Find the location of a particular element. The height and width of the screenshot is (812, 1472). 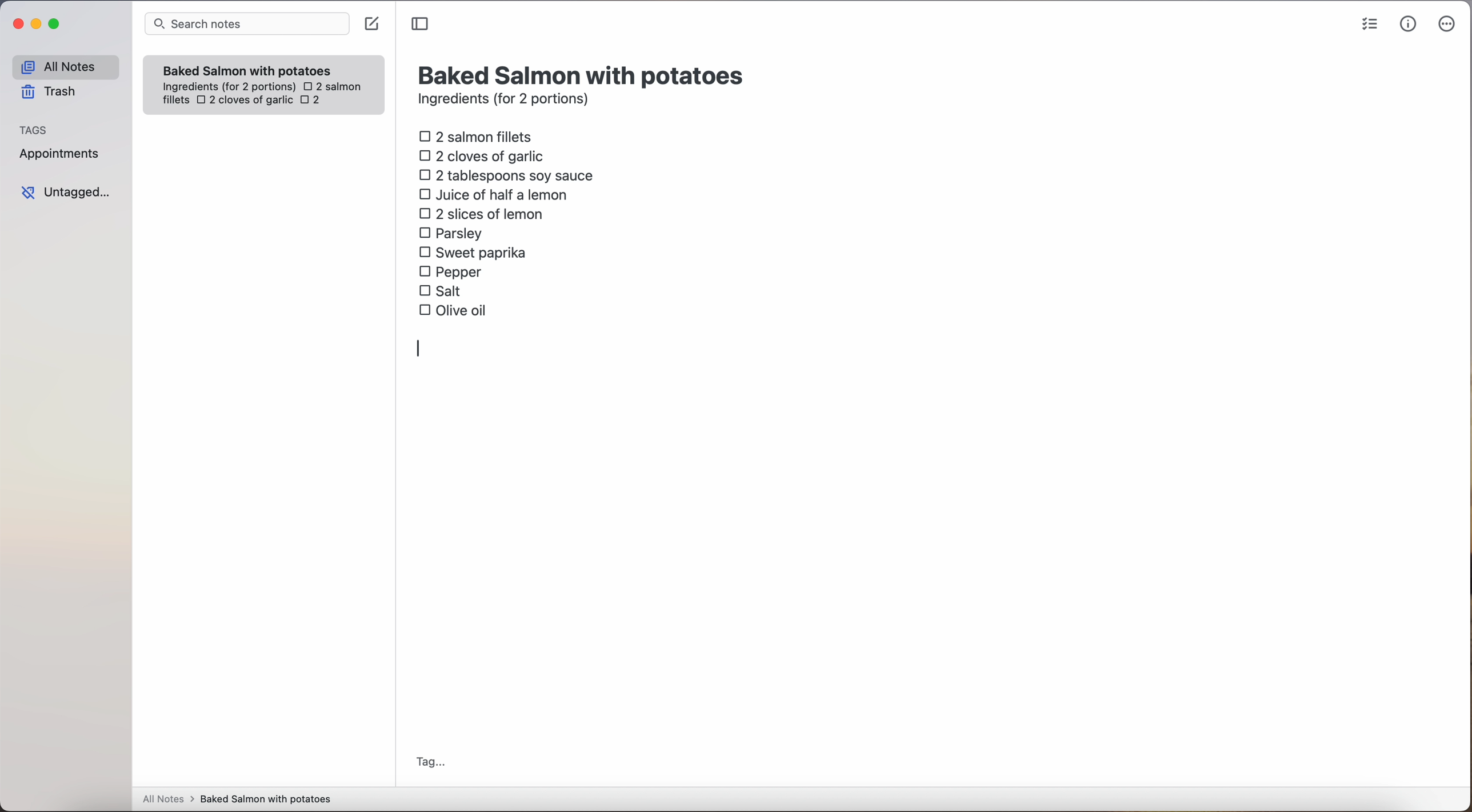

2 cloves of garlic is located at coordinates (485, 154).